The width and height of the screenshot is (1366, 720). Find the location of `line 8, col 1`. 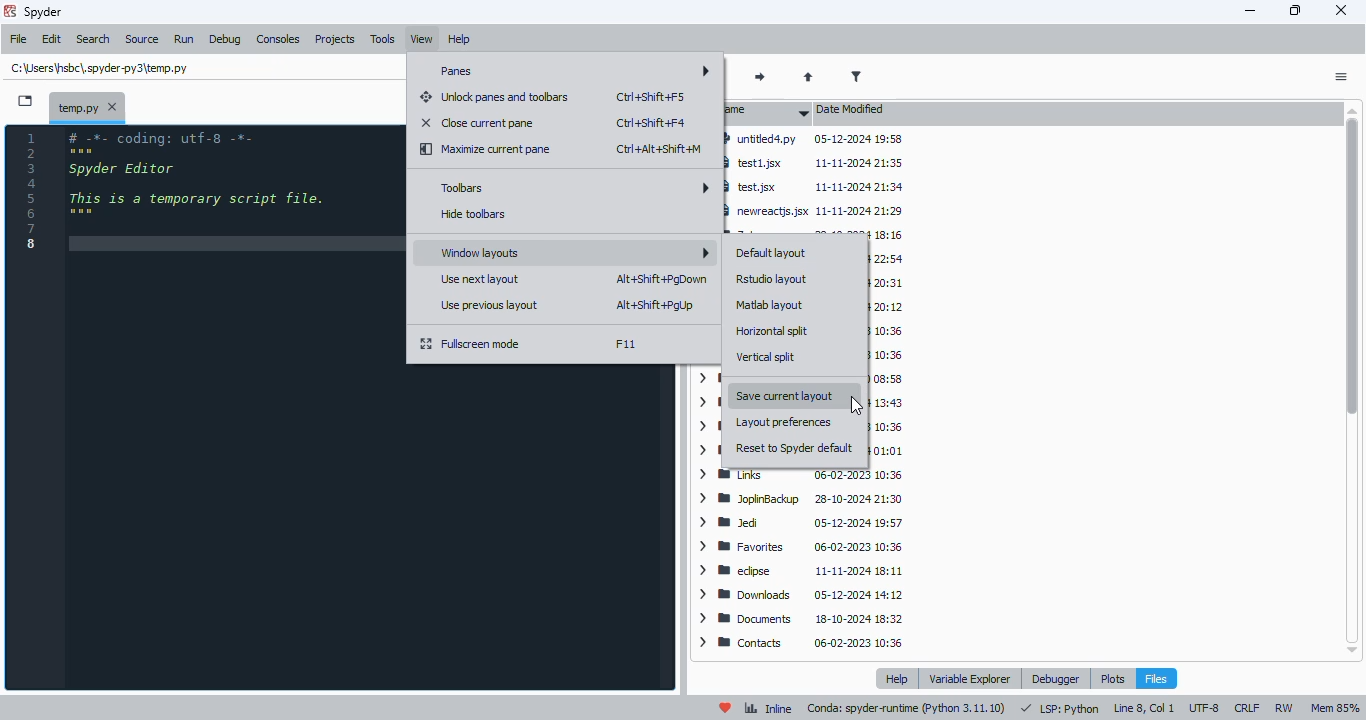

line 8, col 1 is located at coordinates (1145, 708).